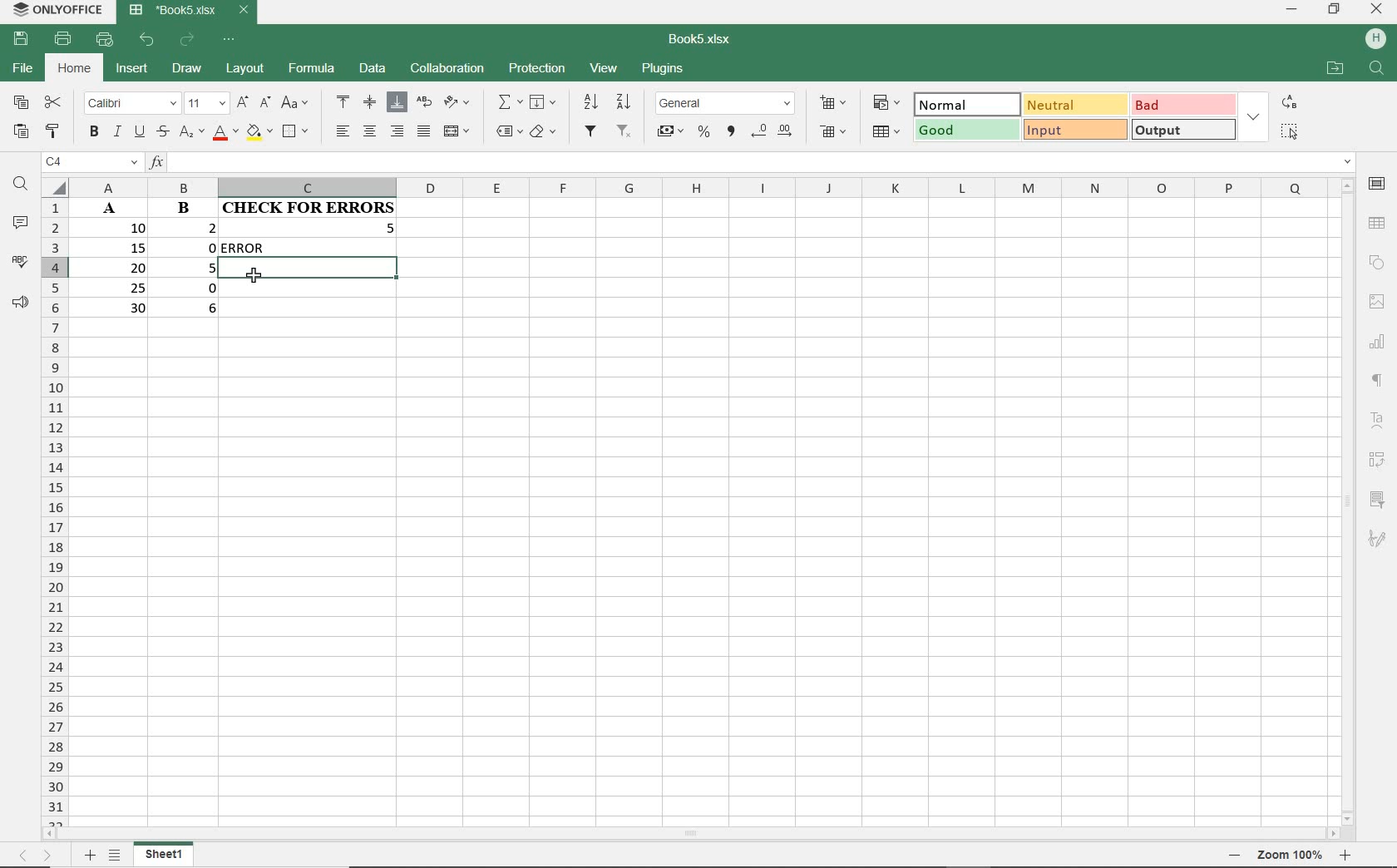  I want to click on COMMENTS, so click(19, 223).